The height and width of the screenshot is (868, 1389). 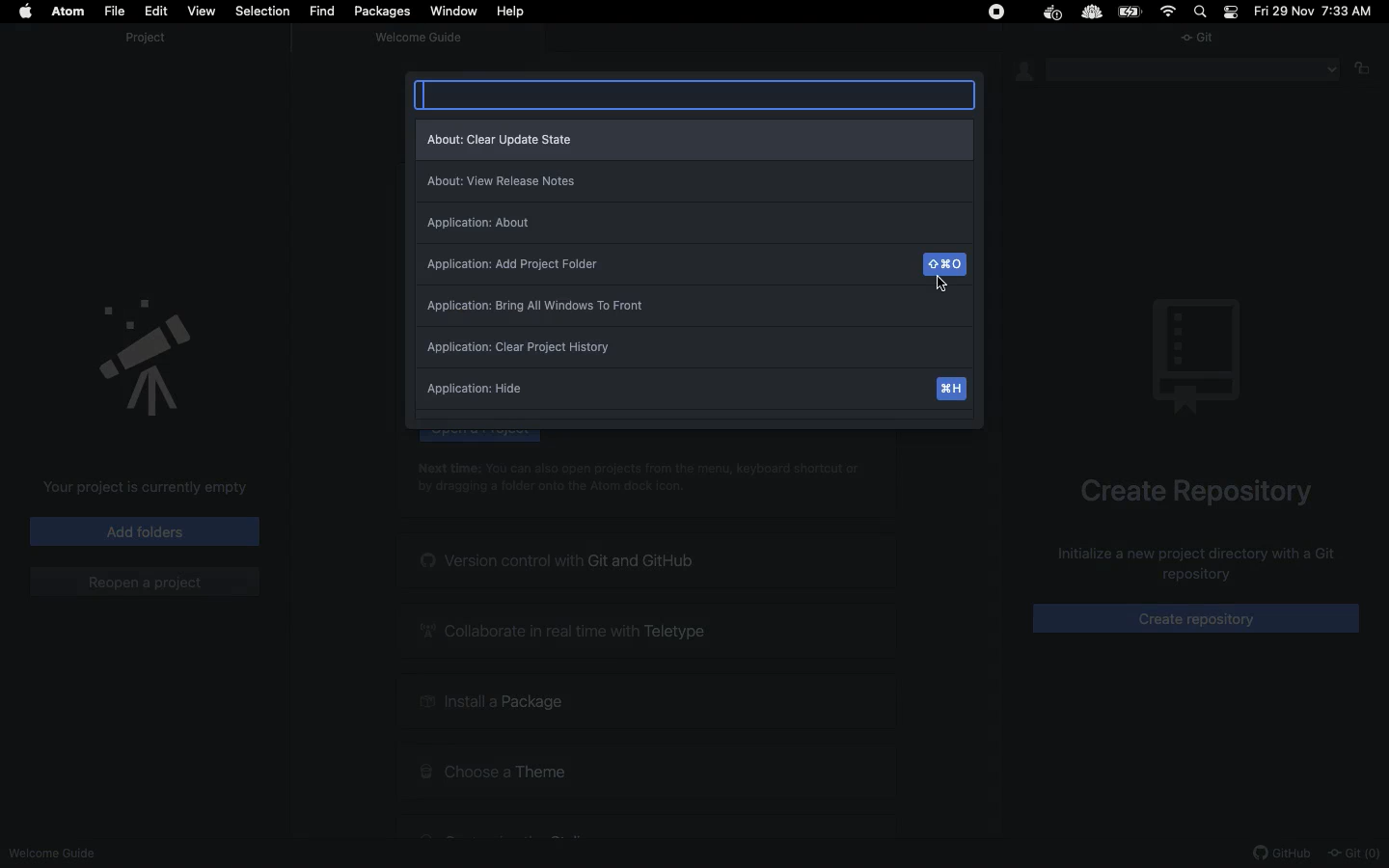 I want to click on Internet, so click(x=1172, y=12).